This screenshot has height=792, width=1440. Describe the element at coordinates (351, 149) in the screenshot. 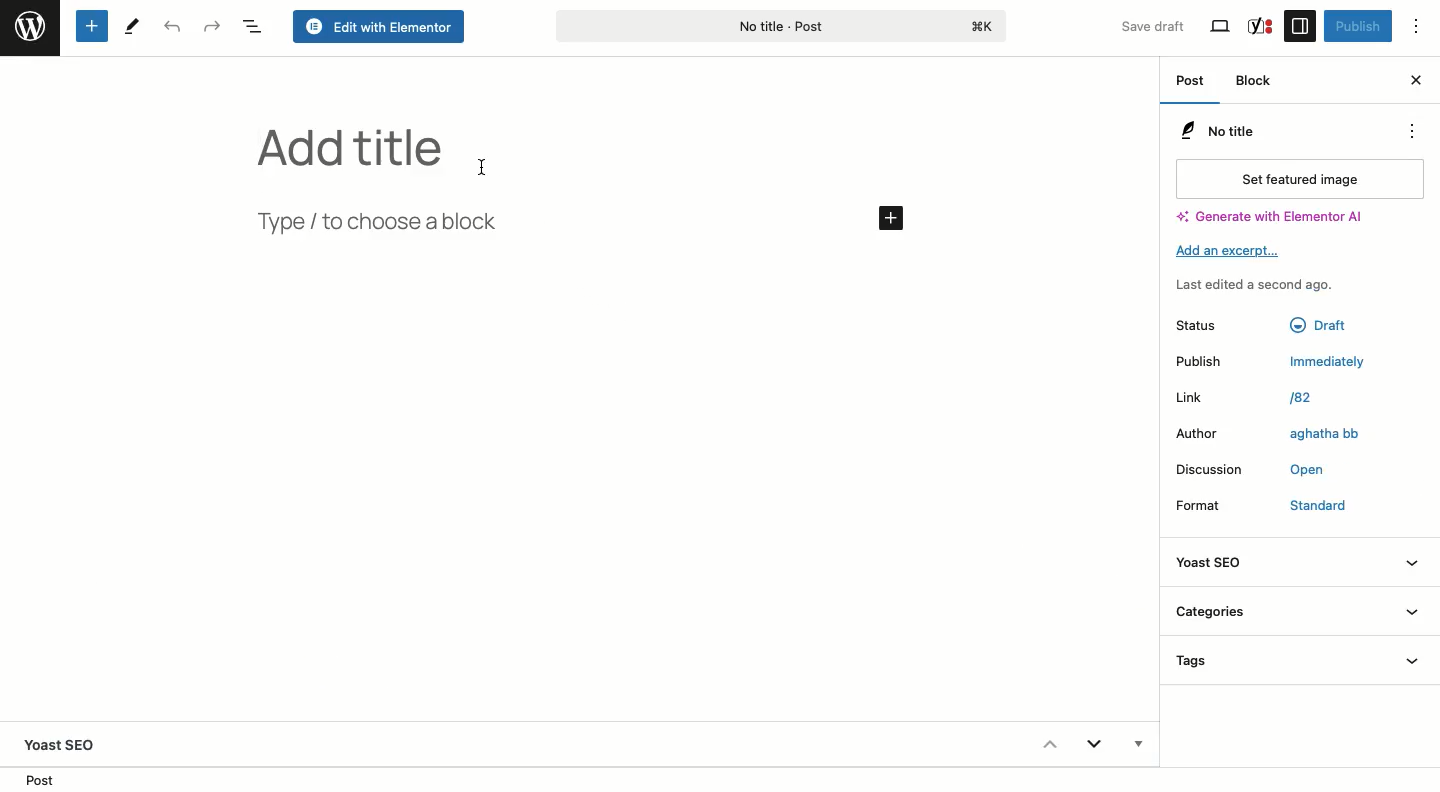

I see `Add title` at that location.